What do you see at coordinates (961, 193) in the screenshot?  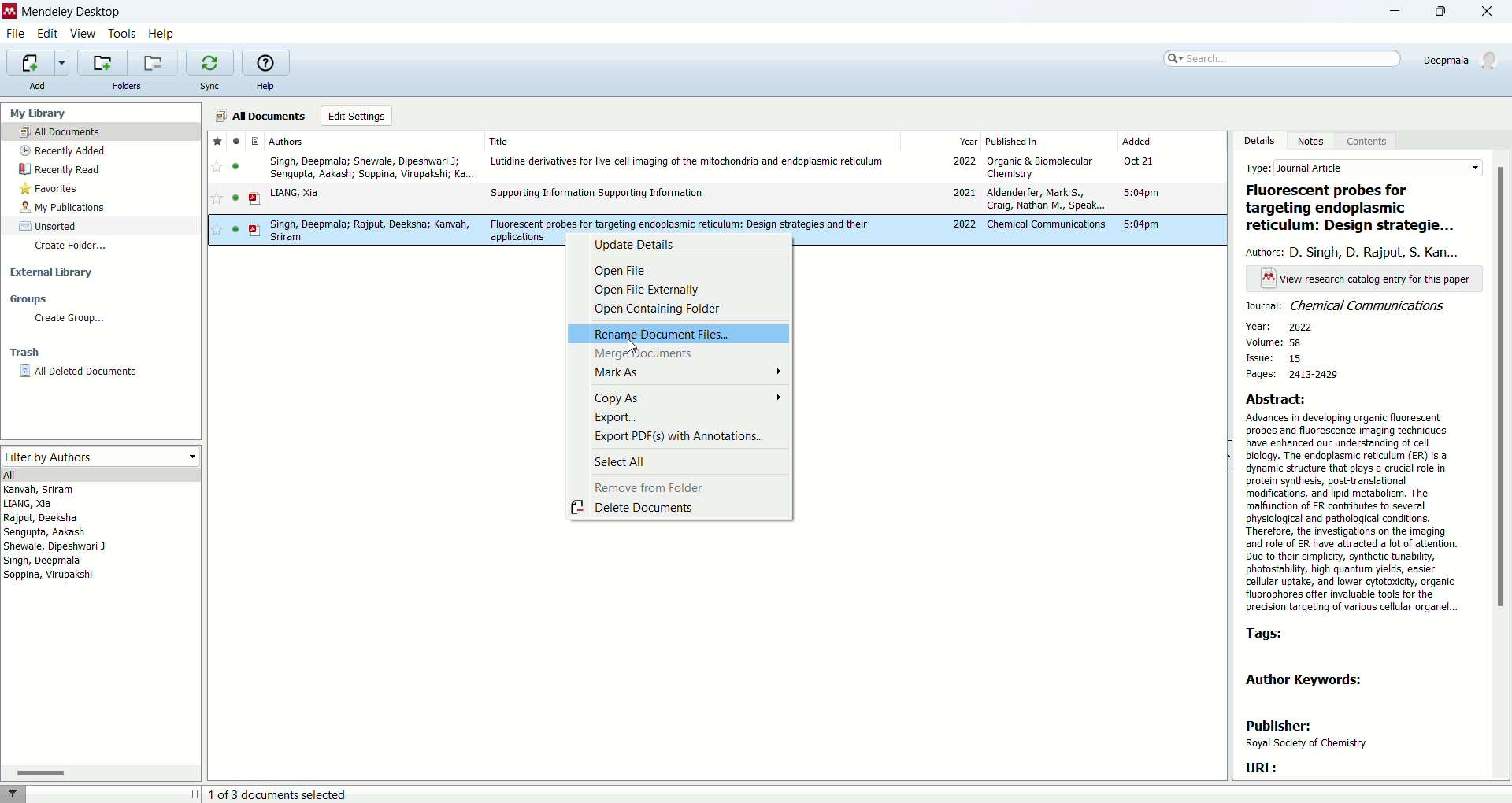 I see `2021` at bounding box center [961, 193].